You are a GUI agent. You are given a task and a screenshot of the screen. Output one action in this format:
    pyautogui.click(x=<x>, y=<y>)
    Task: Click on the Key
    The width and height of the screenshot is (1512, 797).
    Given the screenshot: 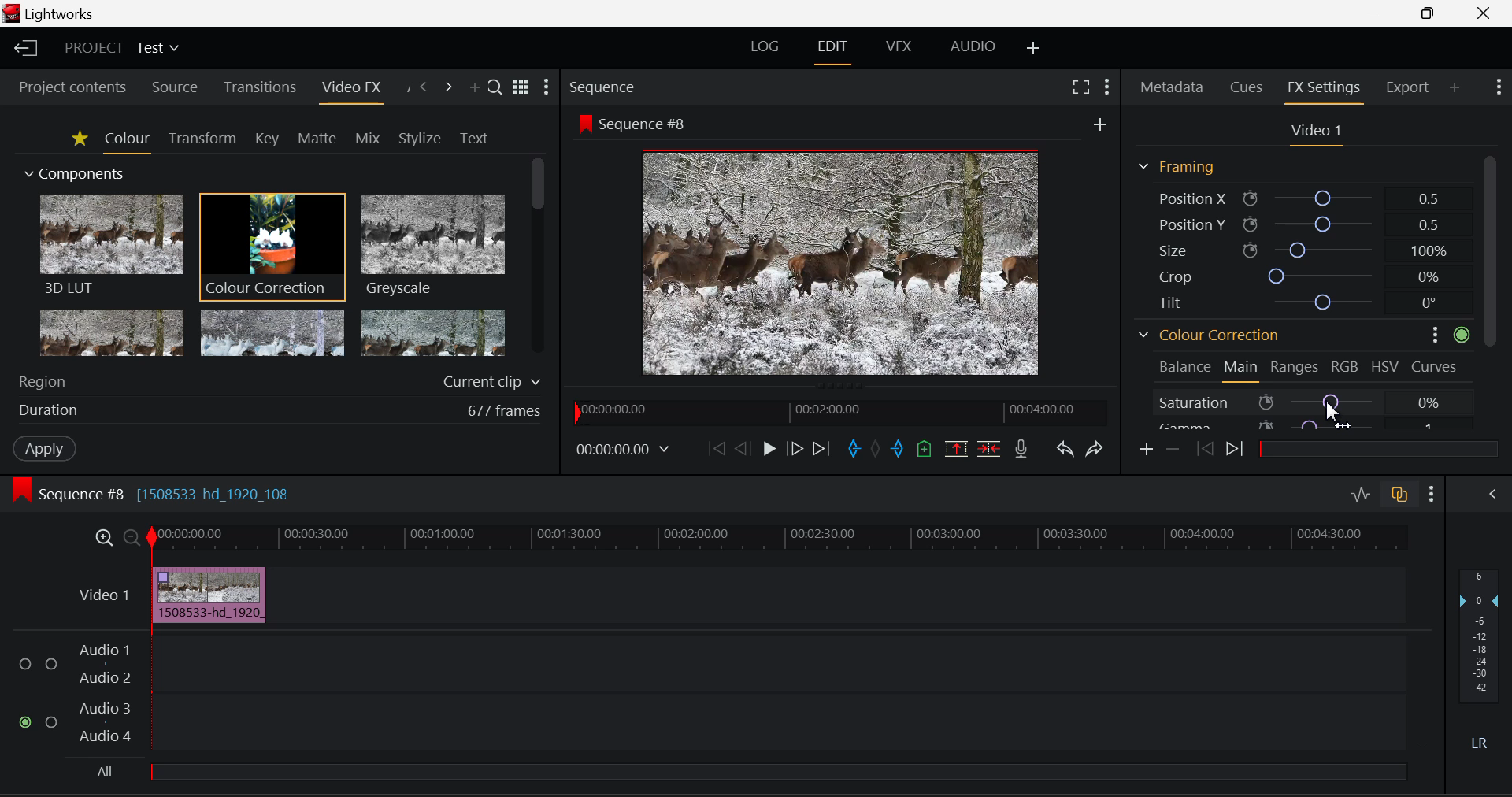 What is the action you would take?
    pyautogui.click(x=268, y=139)
    